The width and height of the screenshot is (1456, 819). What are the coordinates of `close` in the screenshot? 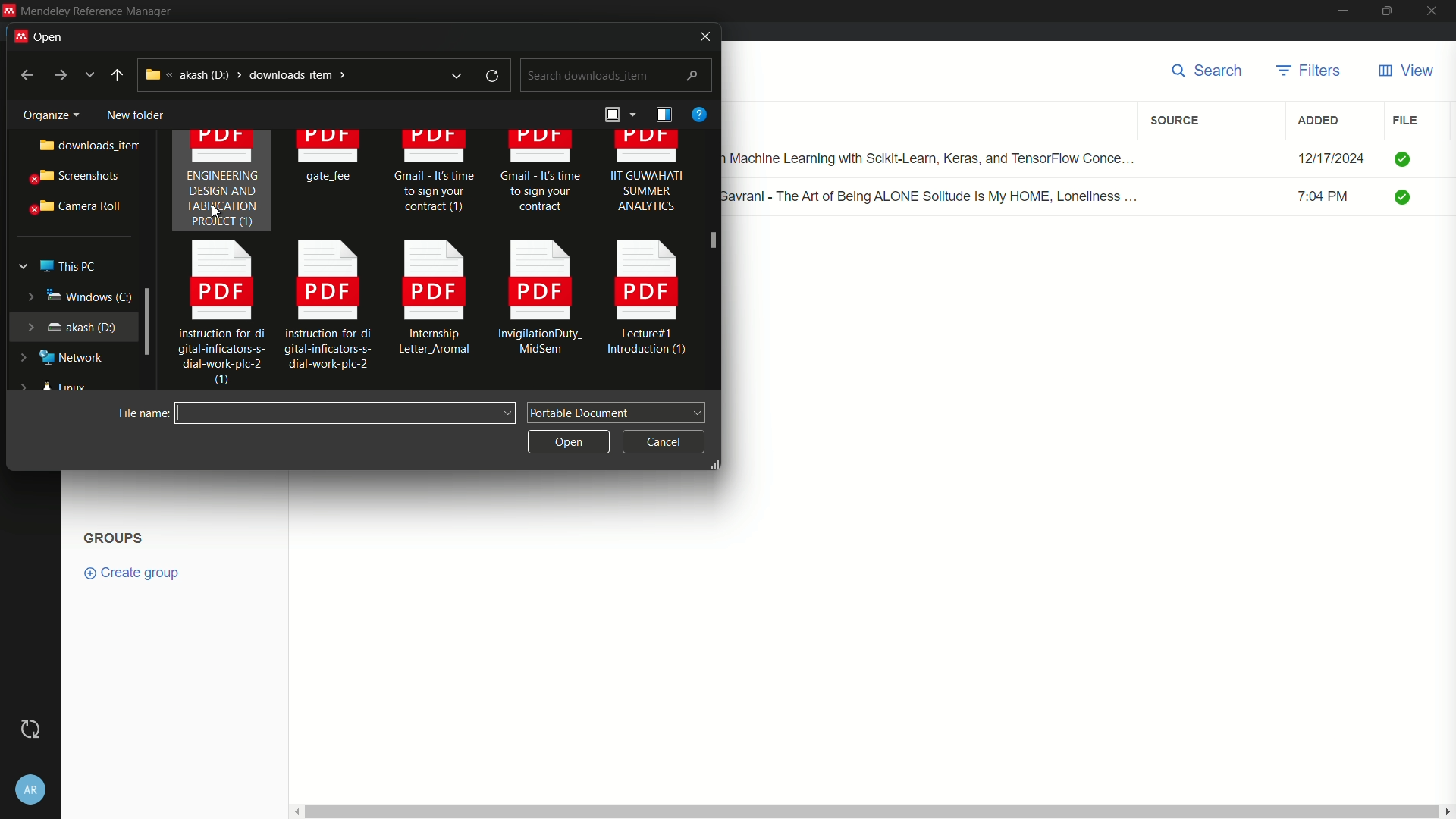 It's located at (1436, 11).